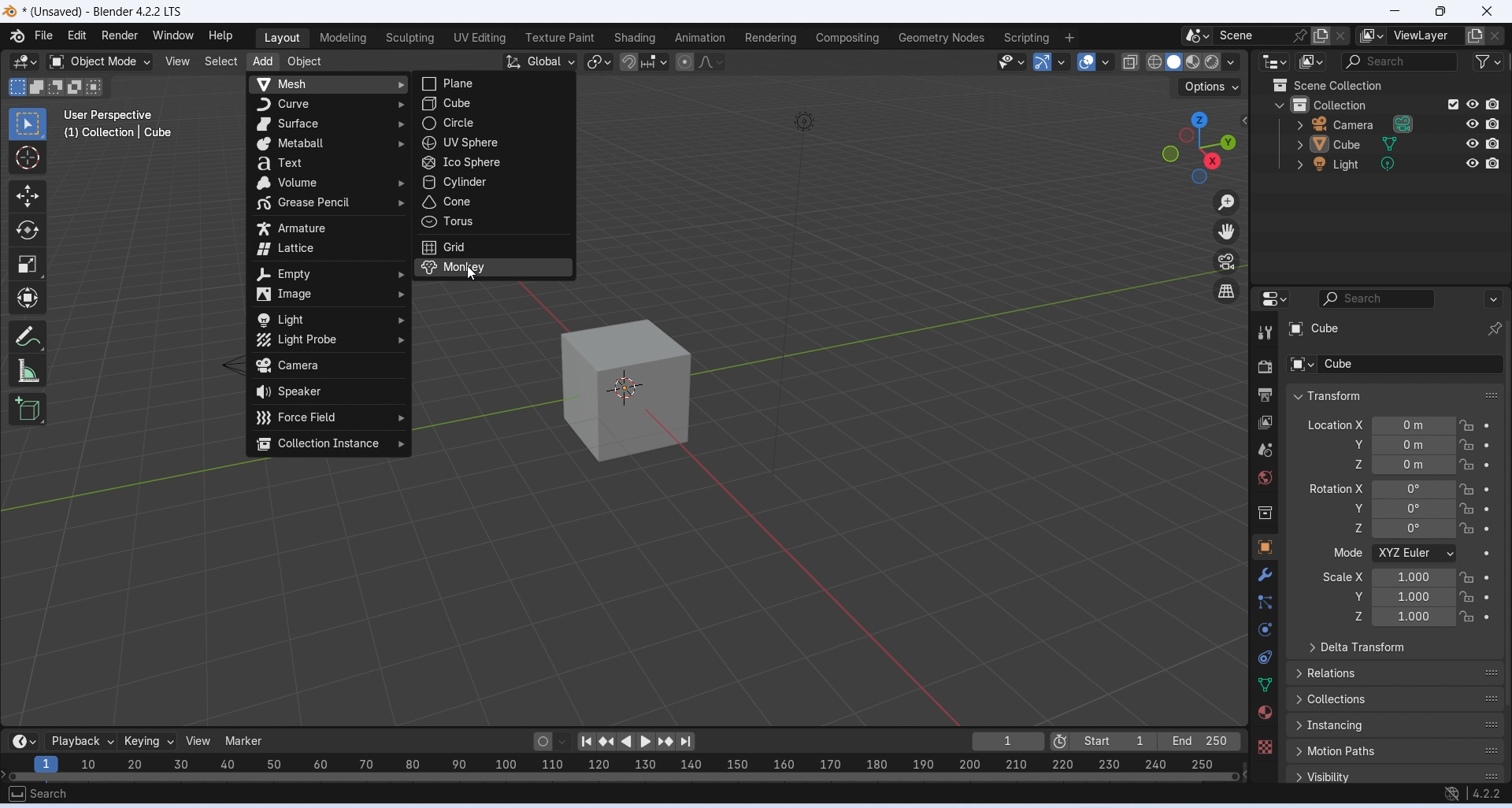  I want to click on active workspace view layer, so click(1372, 35).